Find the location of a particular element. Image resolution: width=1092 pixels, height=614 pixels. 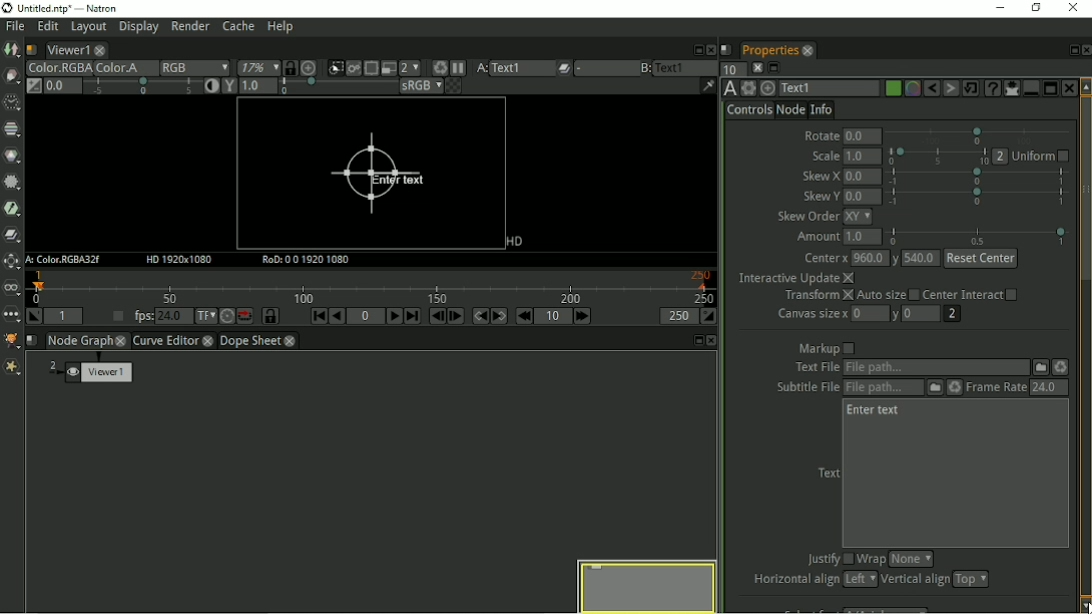

selection bar is located at coordinates (336, 87).